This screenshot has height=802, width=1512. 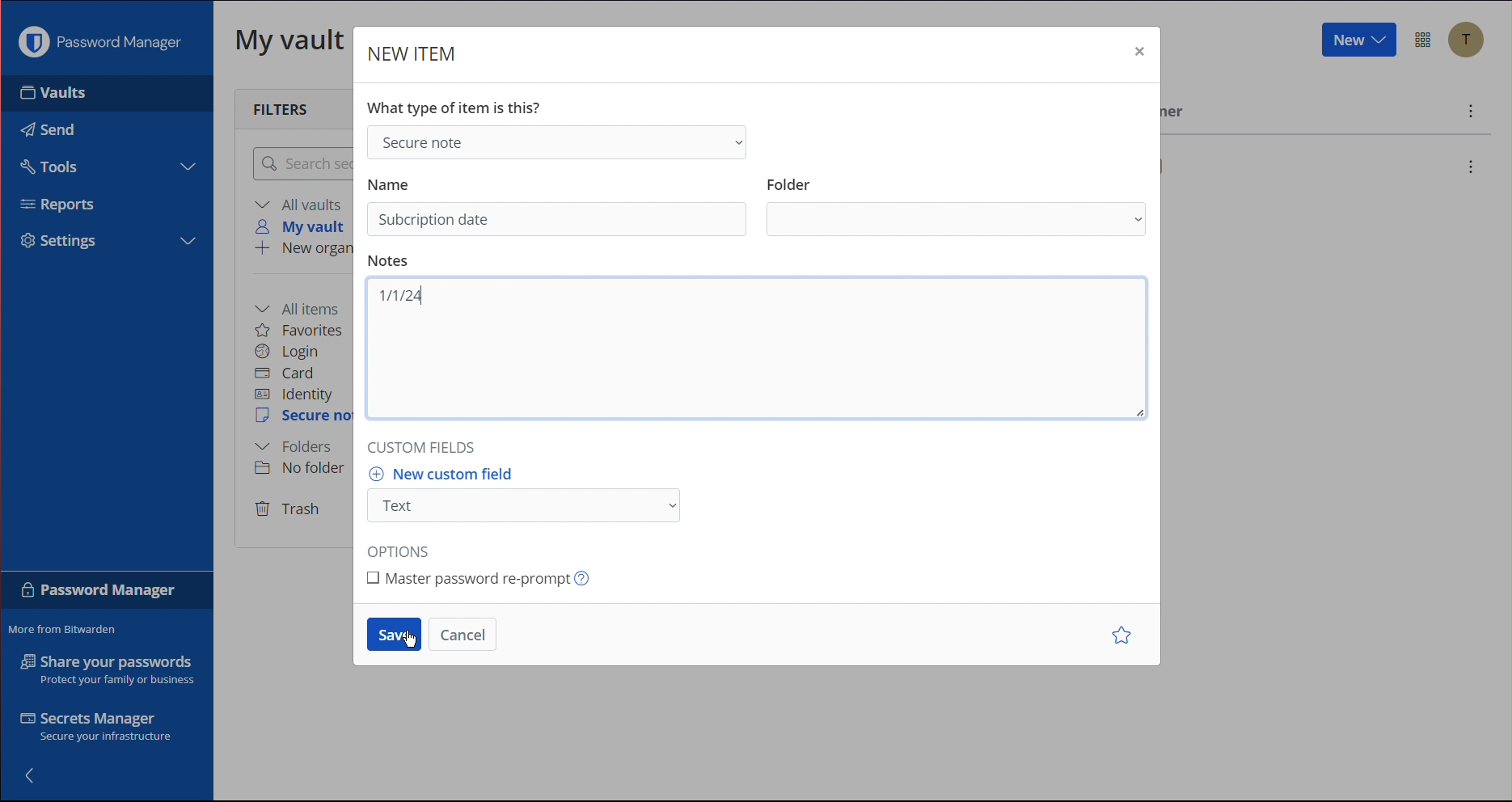 What do you see at coordinates (294, 447) in the screenshot?
I see `Folders` at bounding box center [294, 447].